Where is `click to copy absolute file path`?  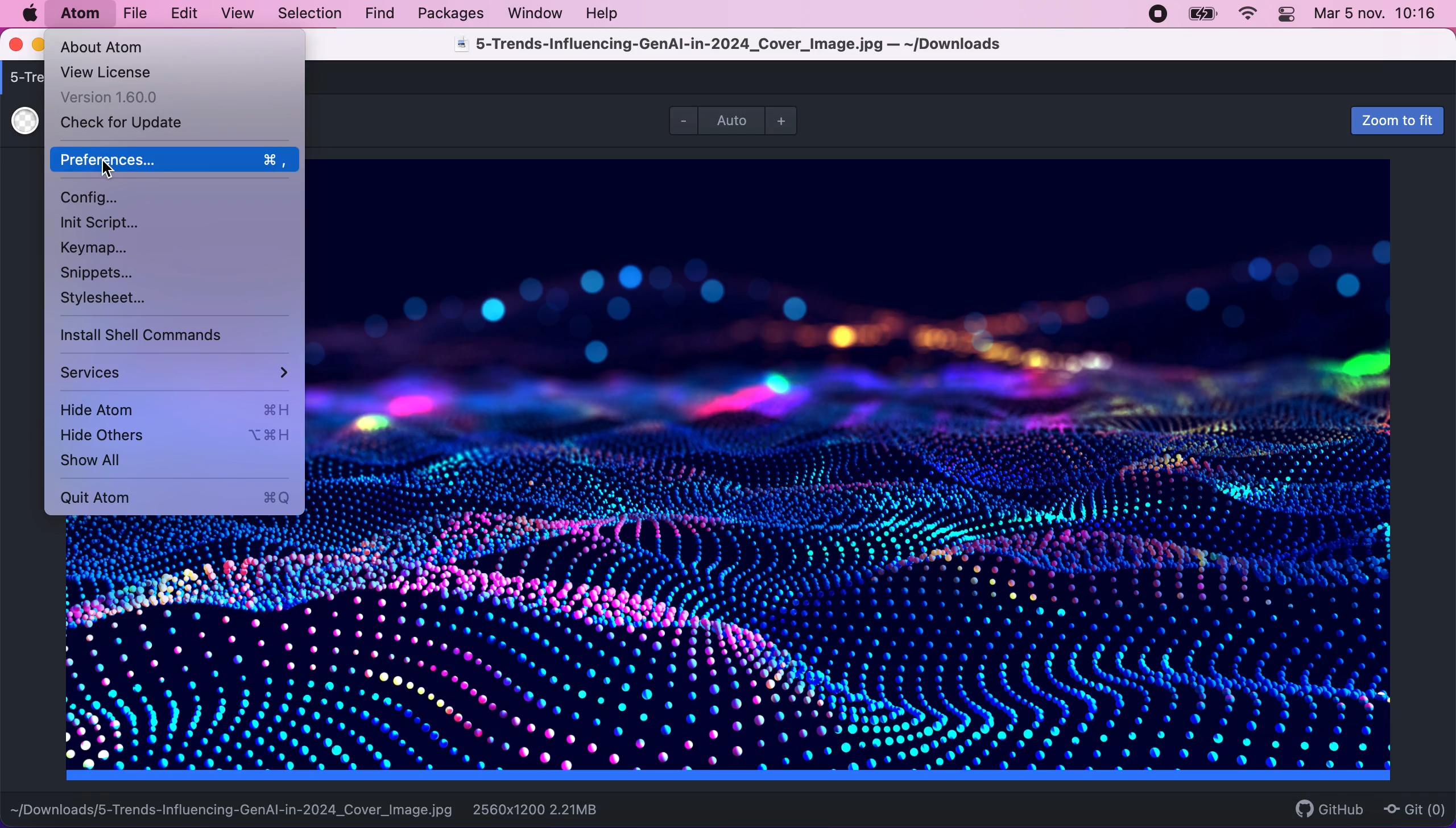
click to copy absolute file path is located at coordinates (232, 805).